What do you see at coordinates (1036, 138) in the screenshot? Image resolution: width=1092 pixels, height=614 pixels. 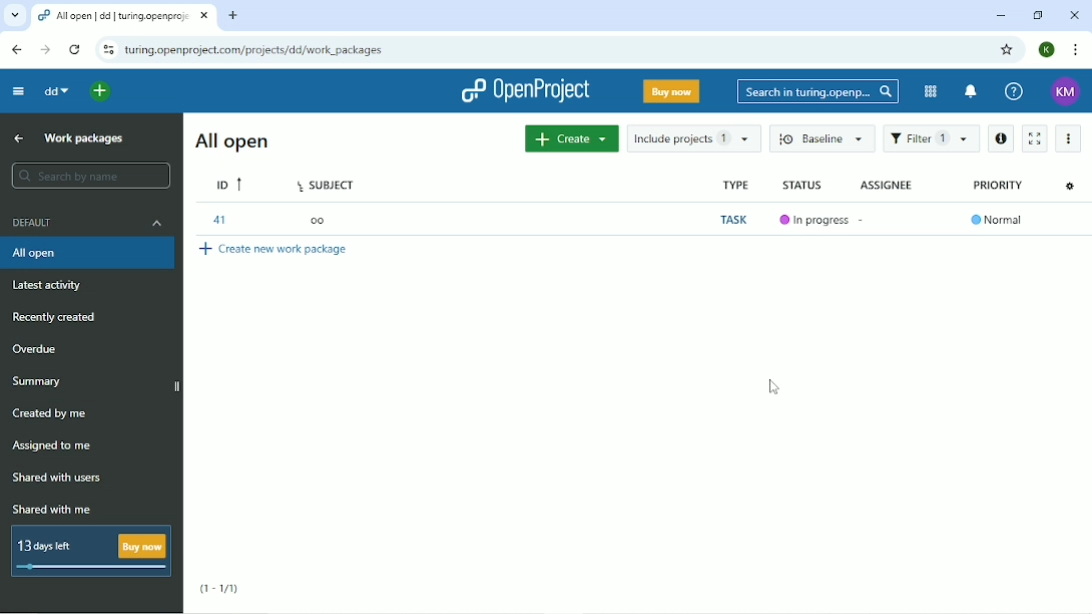 I see `Activate zen mode` at bounding box center [1036, 138].